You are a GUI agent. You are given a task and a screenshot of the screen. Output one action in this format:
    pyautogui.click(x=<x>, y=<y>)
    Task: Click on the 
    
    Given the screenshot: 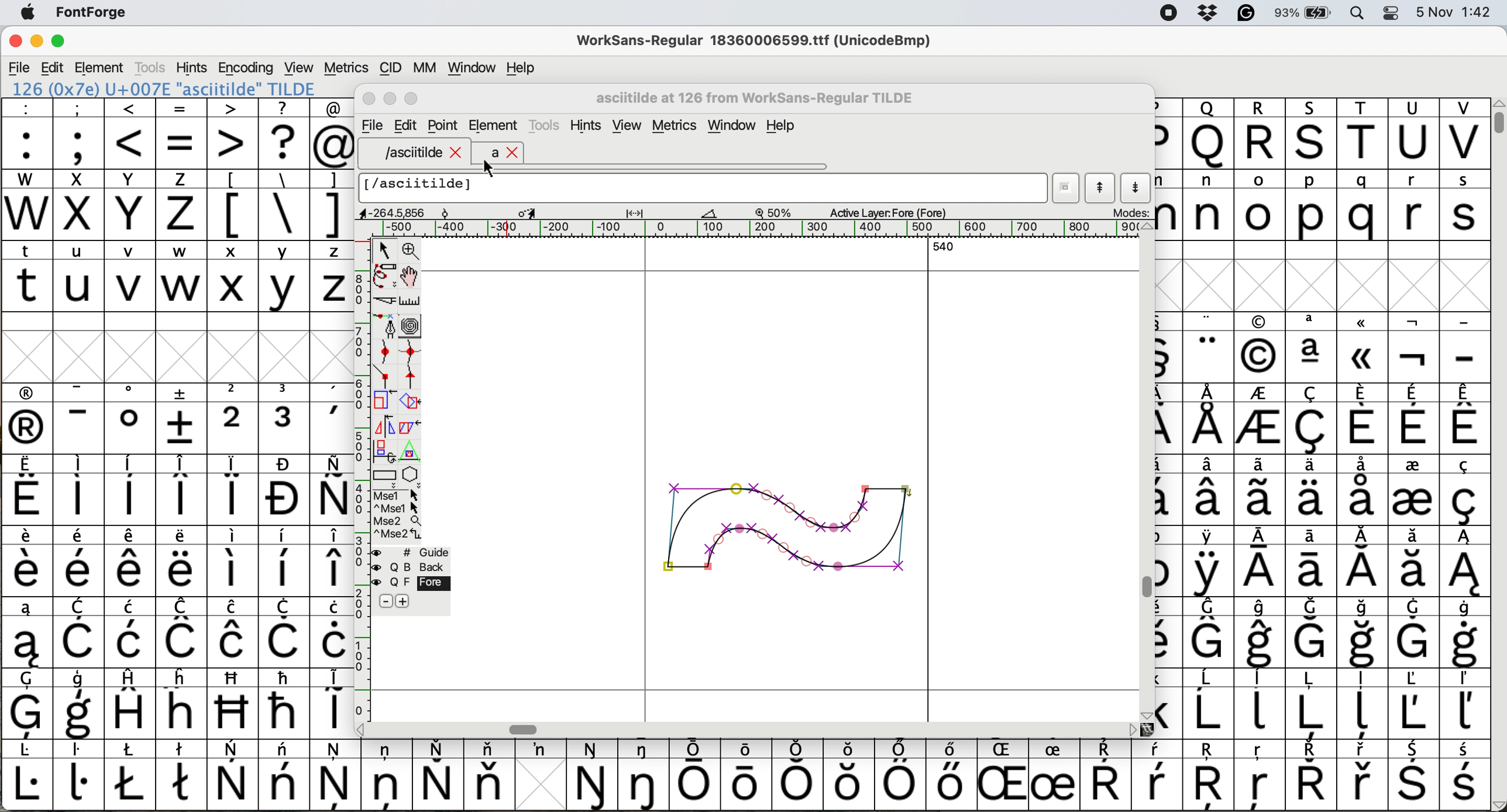 What is the action you would take?
    pyautogui.click(x=1208, y=133)
    